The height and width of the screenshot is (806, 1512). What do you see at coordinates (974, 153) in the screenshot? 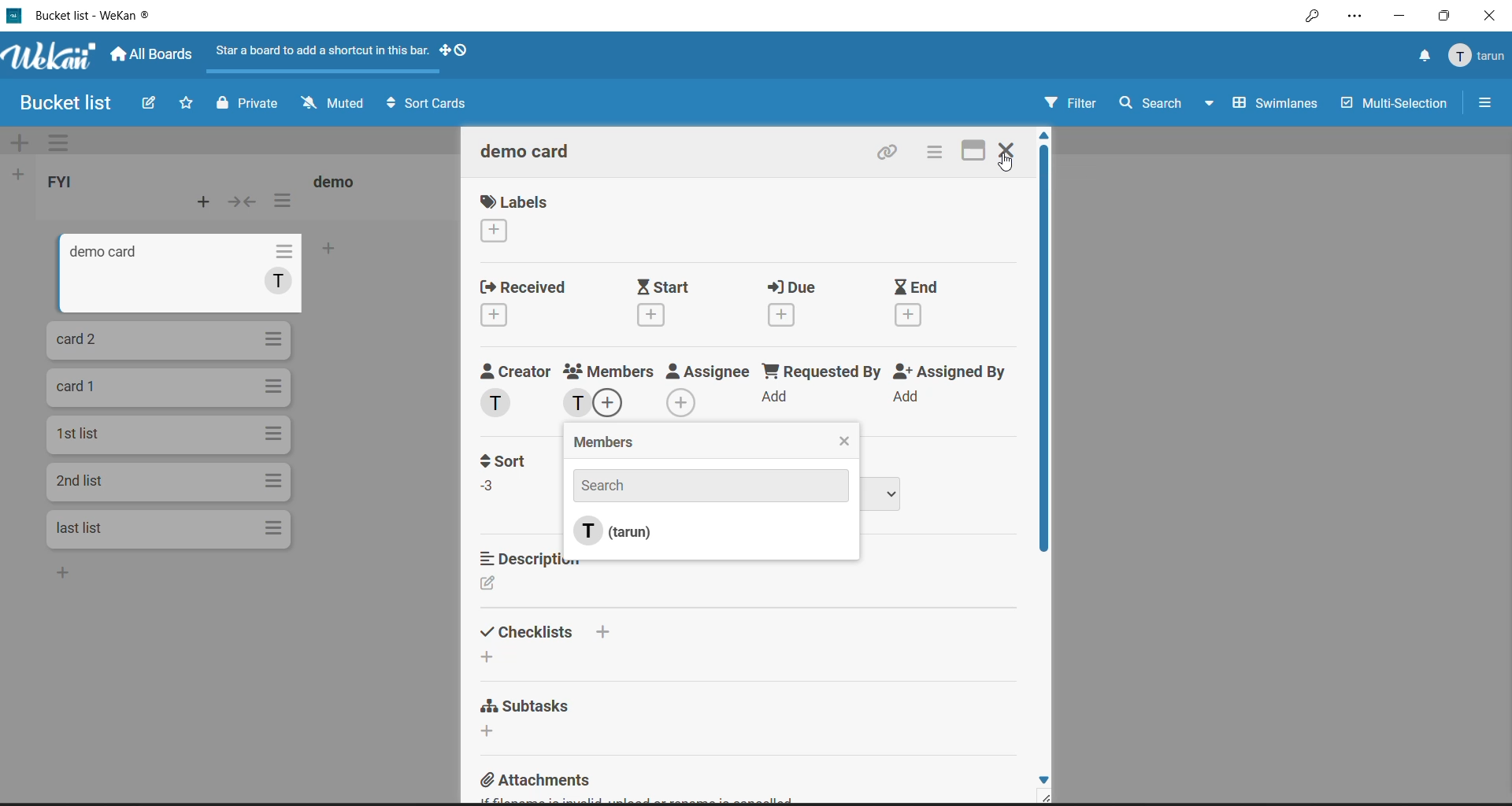
I see `maximize card` at bounding box center [974, 153].